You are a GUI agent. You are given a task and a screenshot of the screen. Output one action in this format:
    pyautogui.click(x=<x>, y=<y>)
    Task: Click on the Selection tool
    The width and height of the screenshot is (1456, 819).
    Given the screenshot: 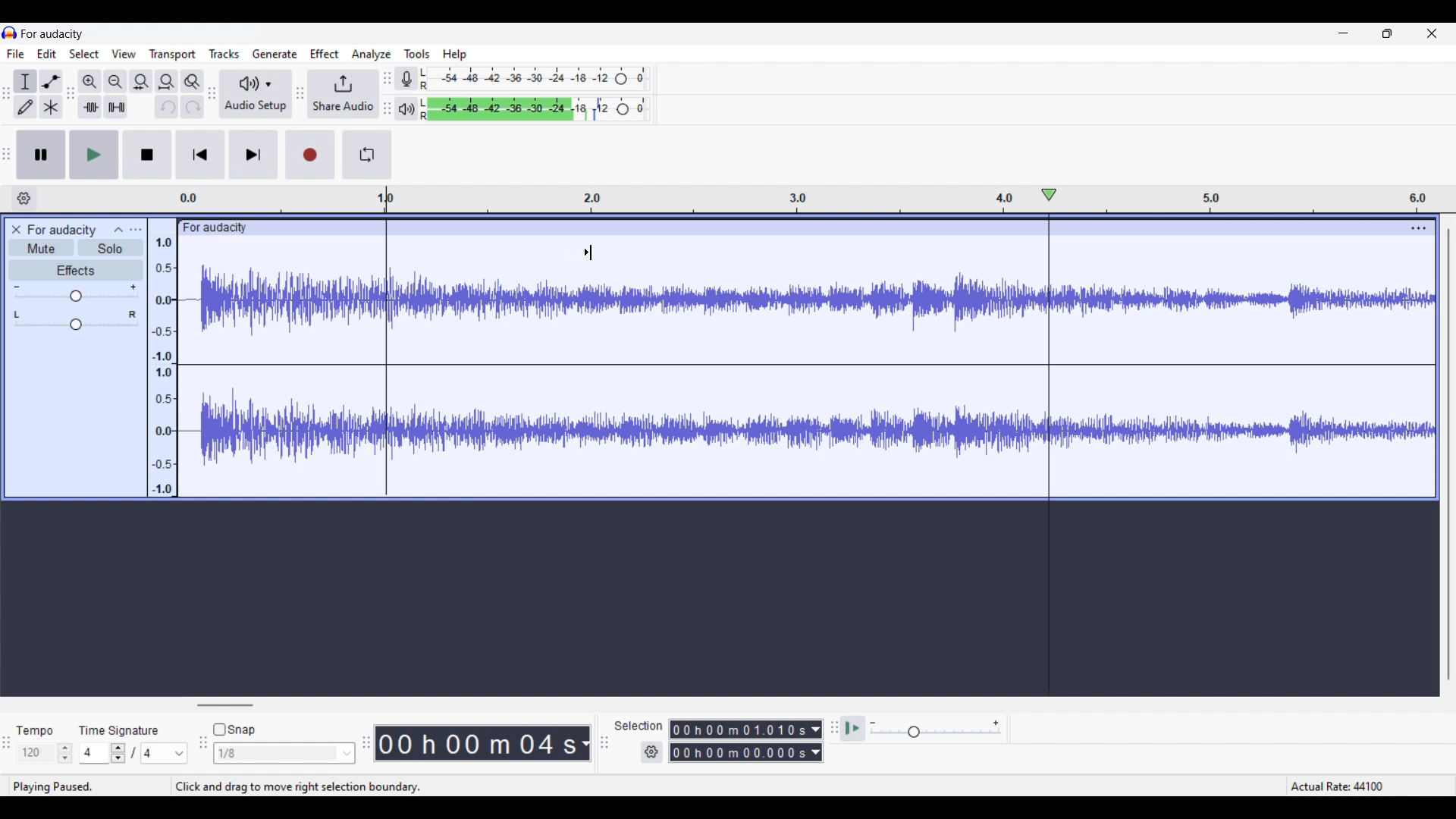 What is the action you would take?
    pyautogui.click(x=26, y=82)
    